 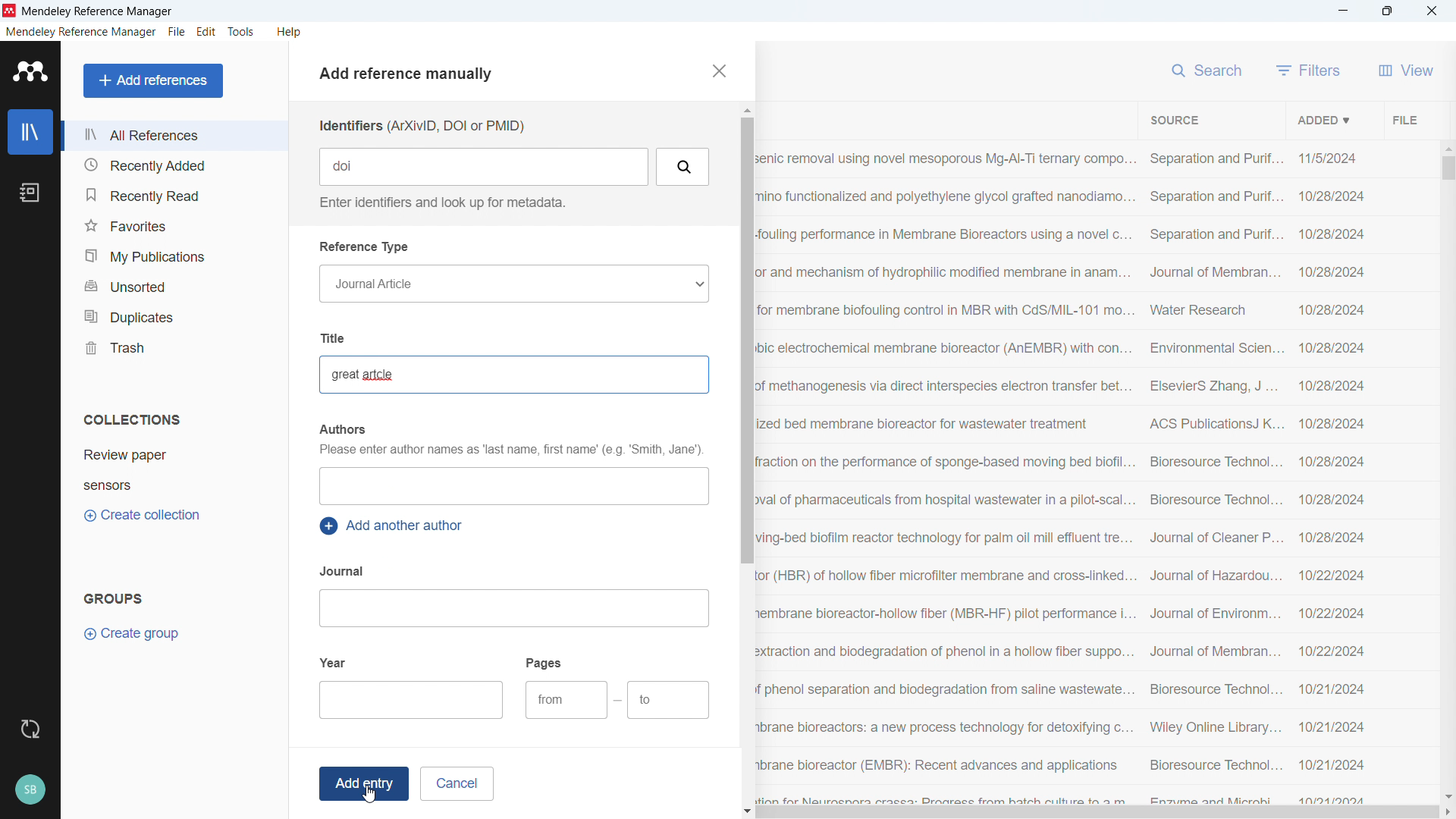 I want to click on Reference type, so click(x=366, y=247).